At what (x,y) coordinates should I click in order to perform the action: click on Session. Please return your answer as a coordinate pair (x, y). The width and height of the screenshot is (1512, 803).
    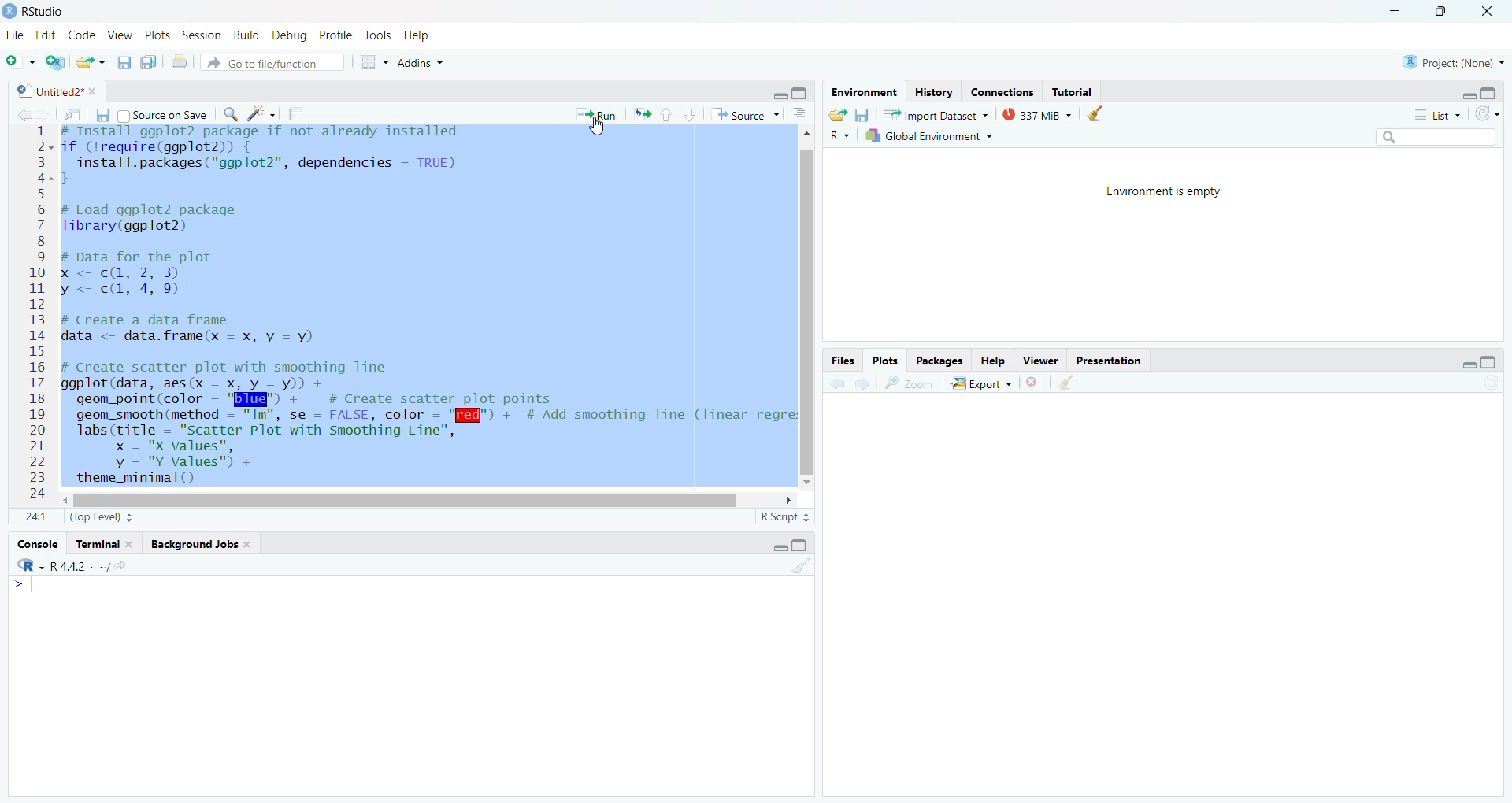
    Looking at the image, I should click on (202, 37).